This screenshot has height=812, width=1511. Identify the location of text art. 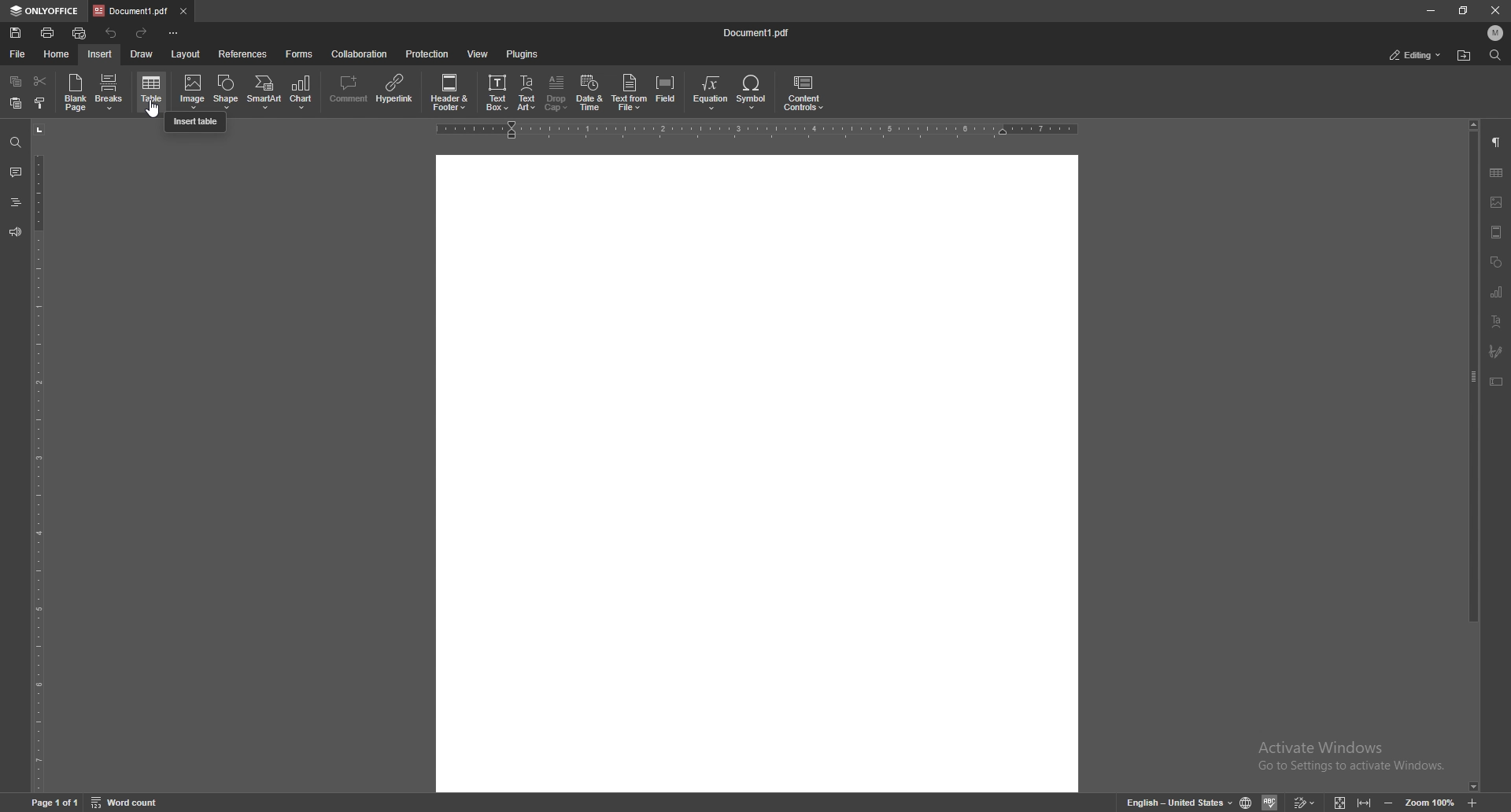
(1498, 322).